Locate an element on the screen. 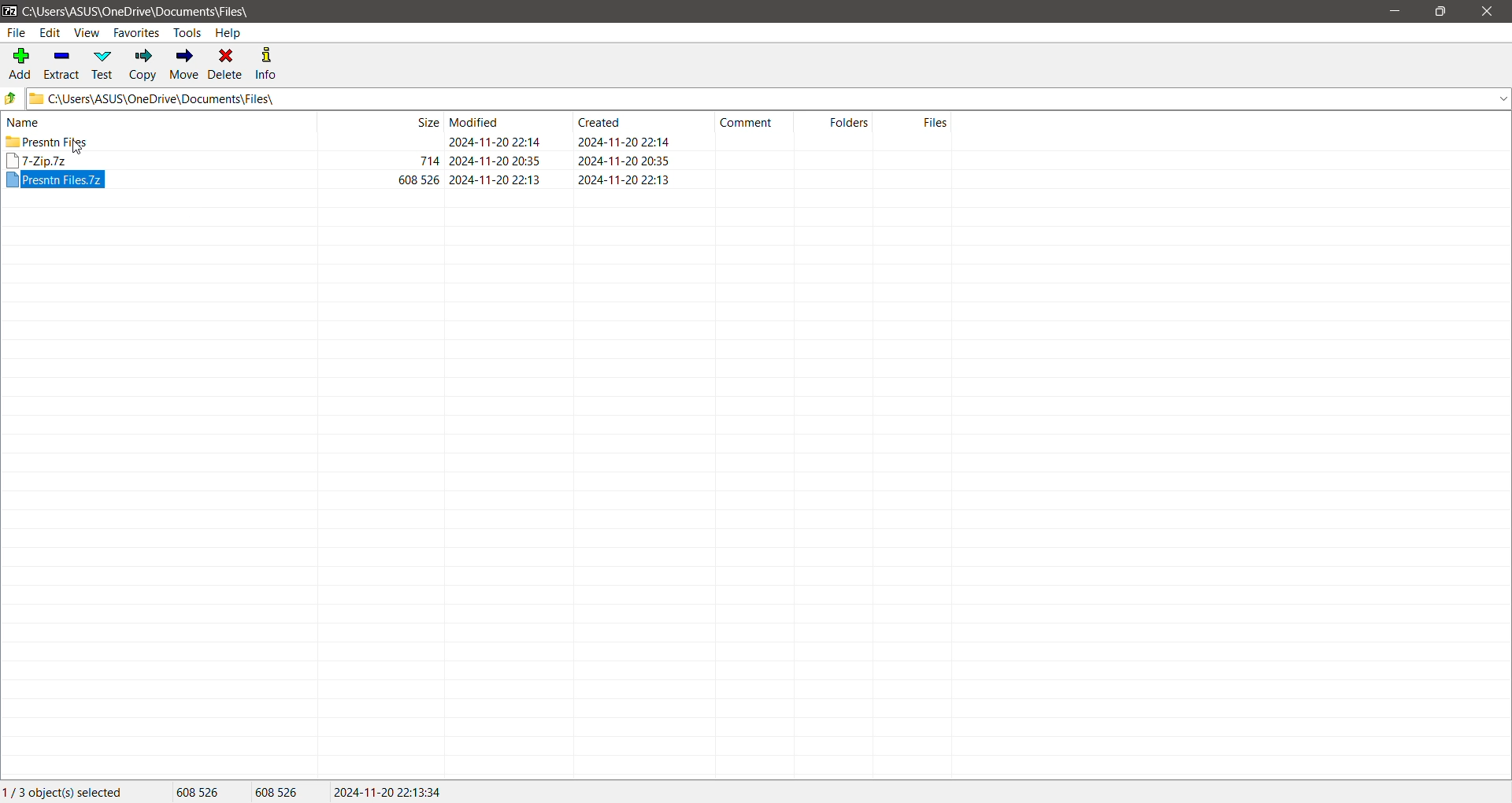 This screenshot has width=1512, height=803. created date & time is located at coordinates (623, 179).